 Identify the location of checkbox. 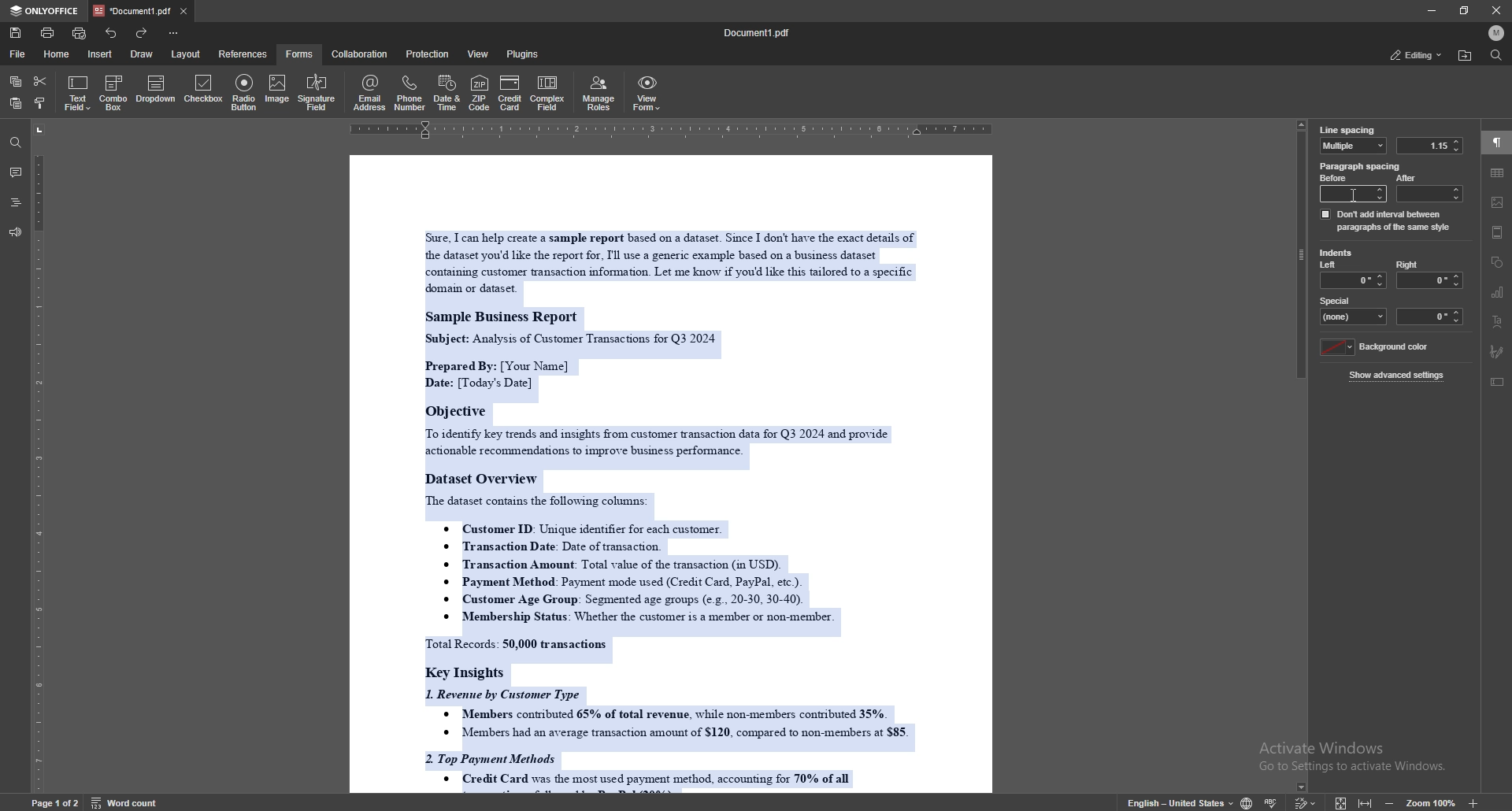
(205, 91).